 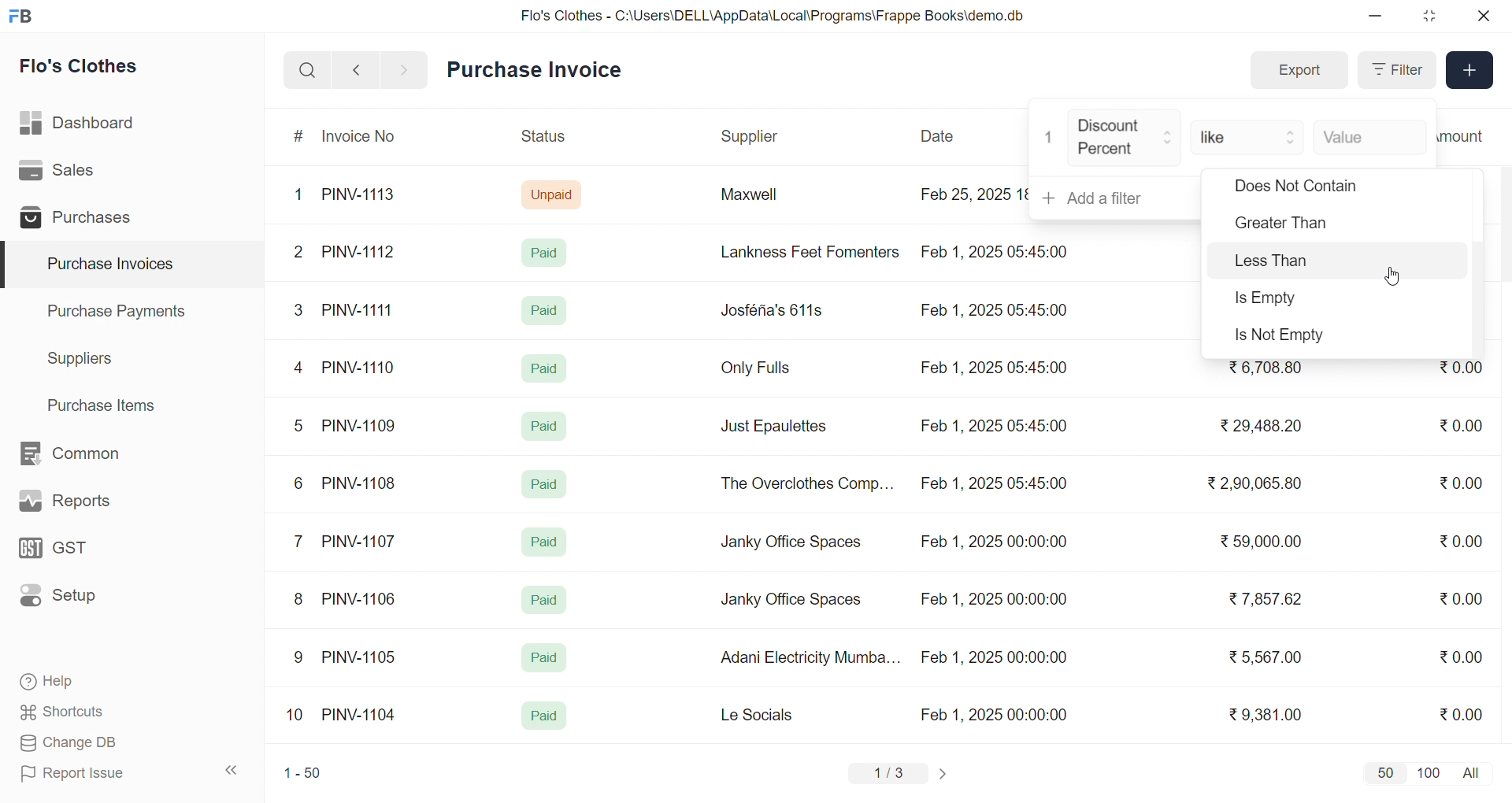 I want to click on ₹0.00, so click(x=1460, y=485).